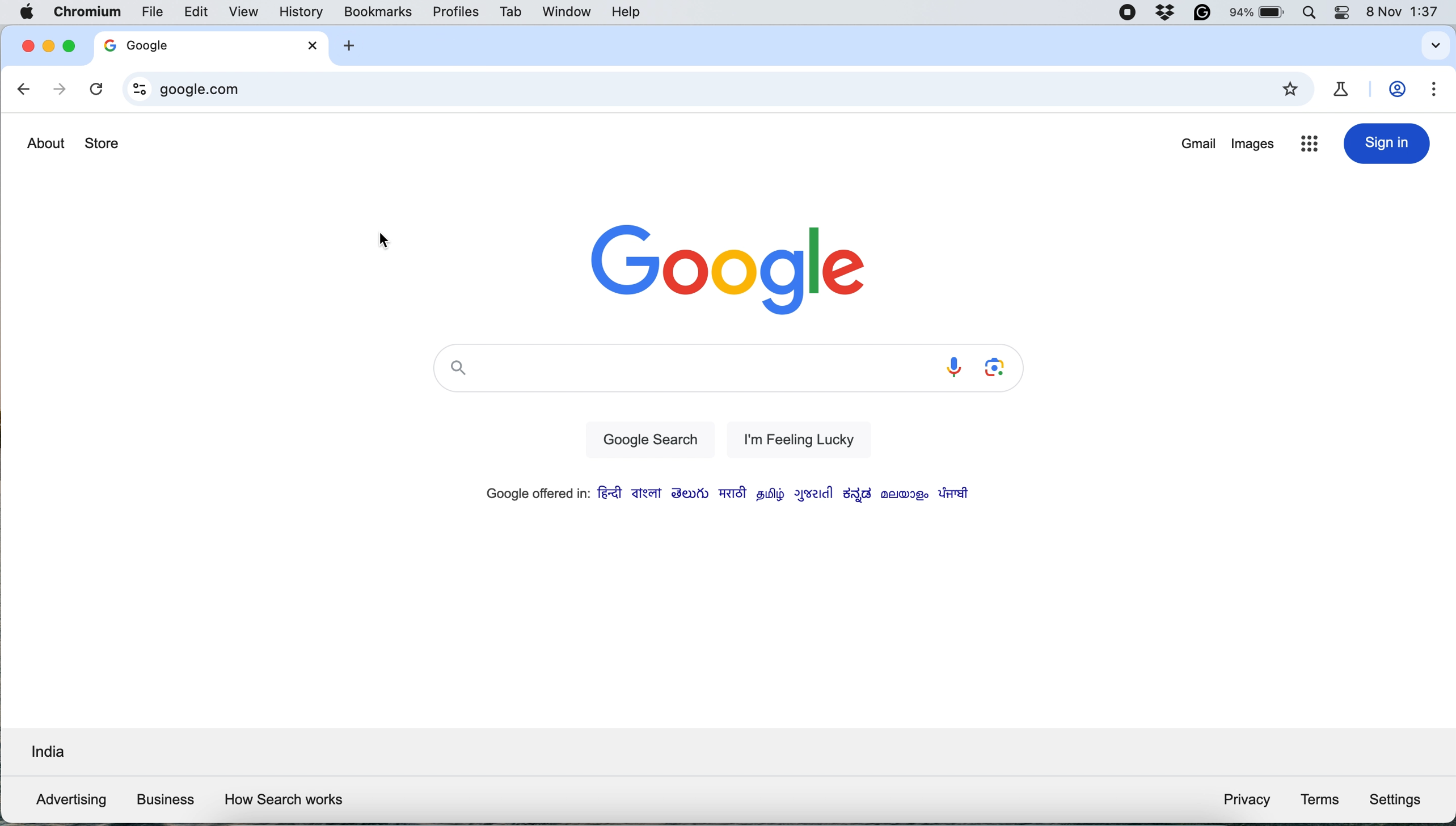 The image size is (1456, 826). I want to click on close, so click(314, 45).